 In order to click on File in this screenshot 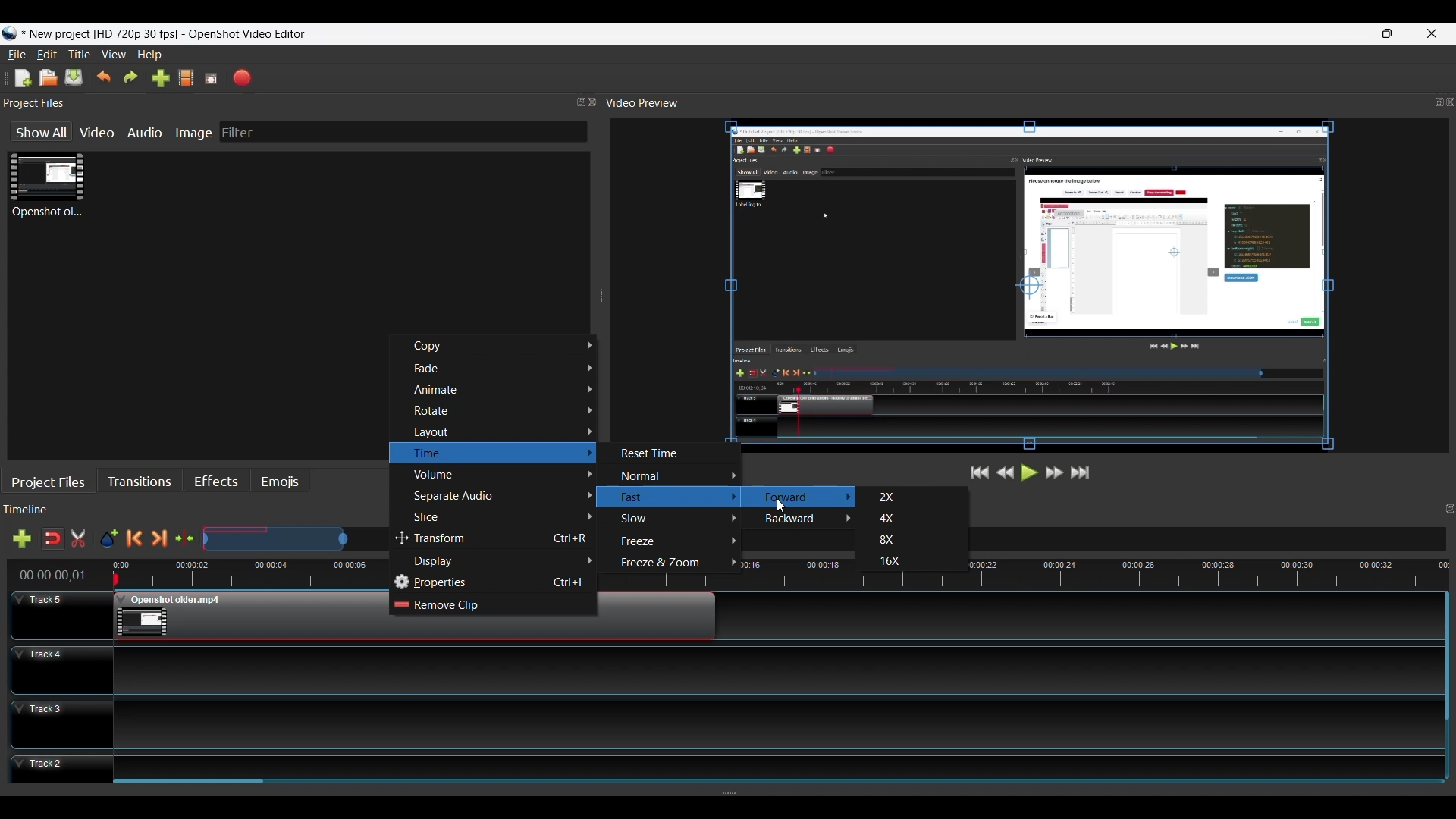, I will do `click(15, 55)`.